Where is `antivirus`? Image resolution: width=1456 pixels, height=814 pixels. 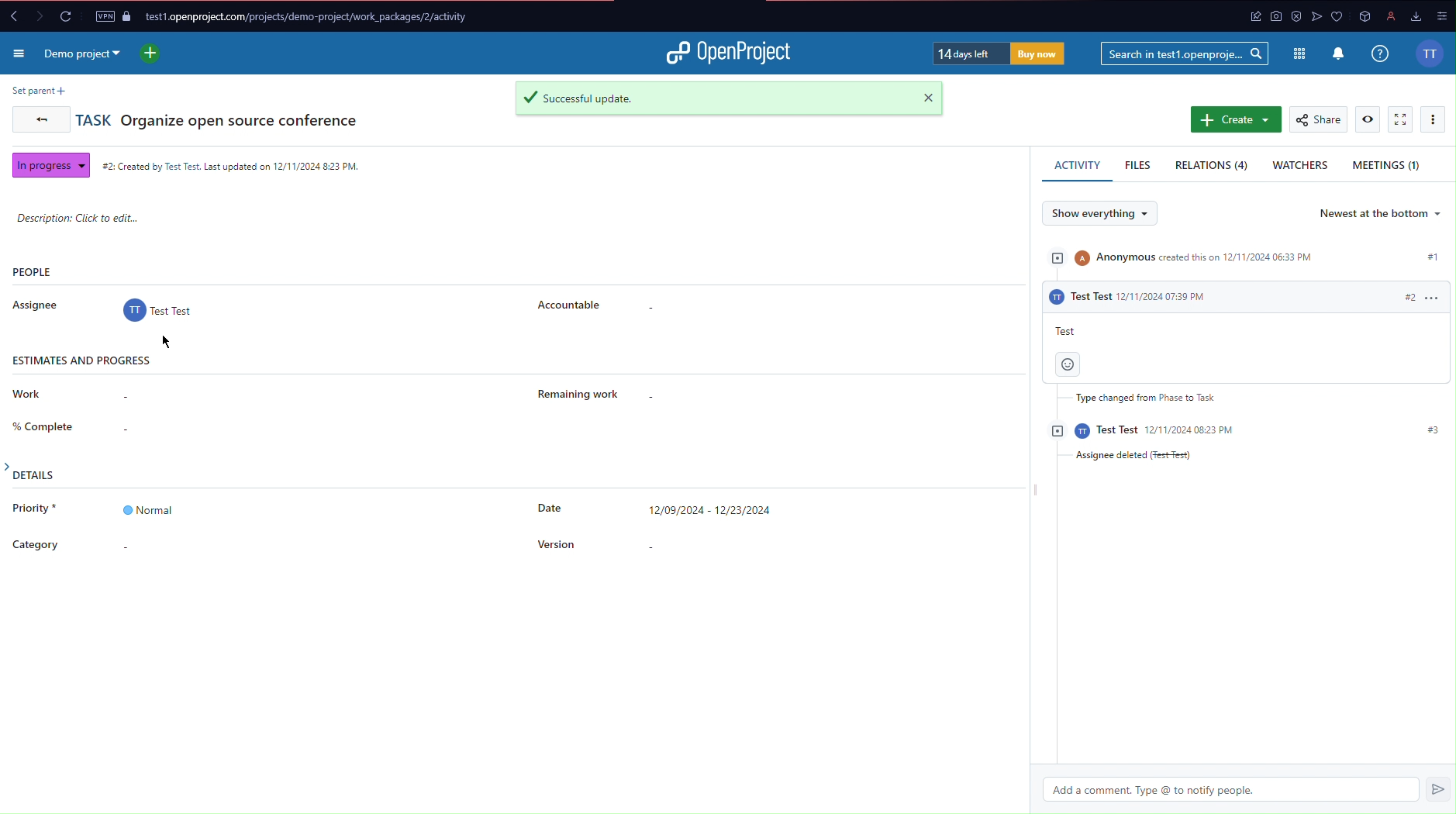
antivirus is located at coordinates (1290, 16).